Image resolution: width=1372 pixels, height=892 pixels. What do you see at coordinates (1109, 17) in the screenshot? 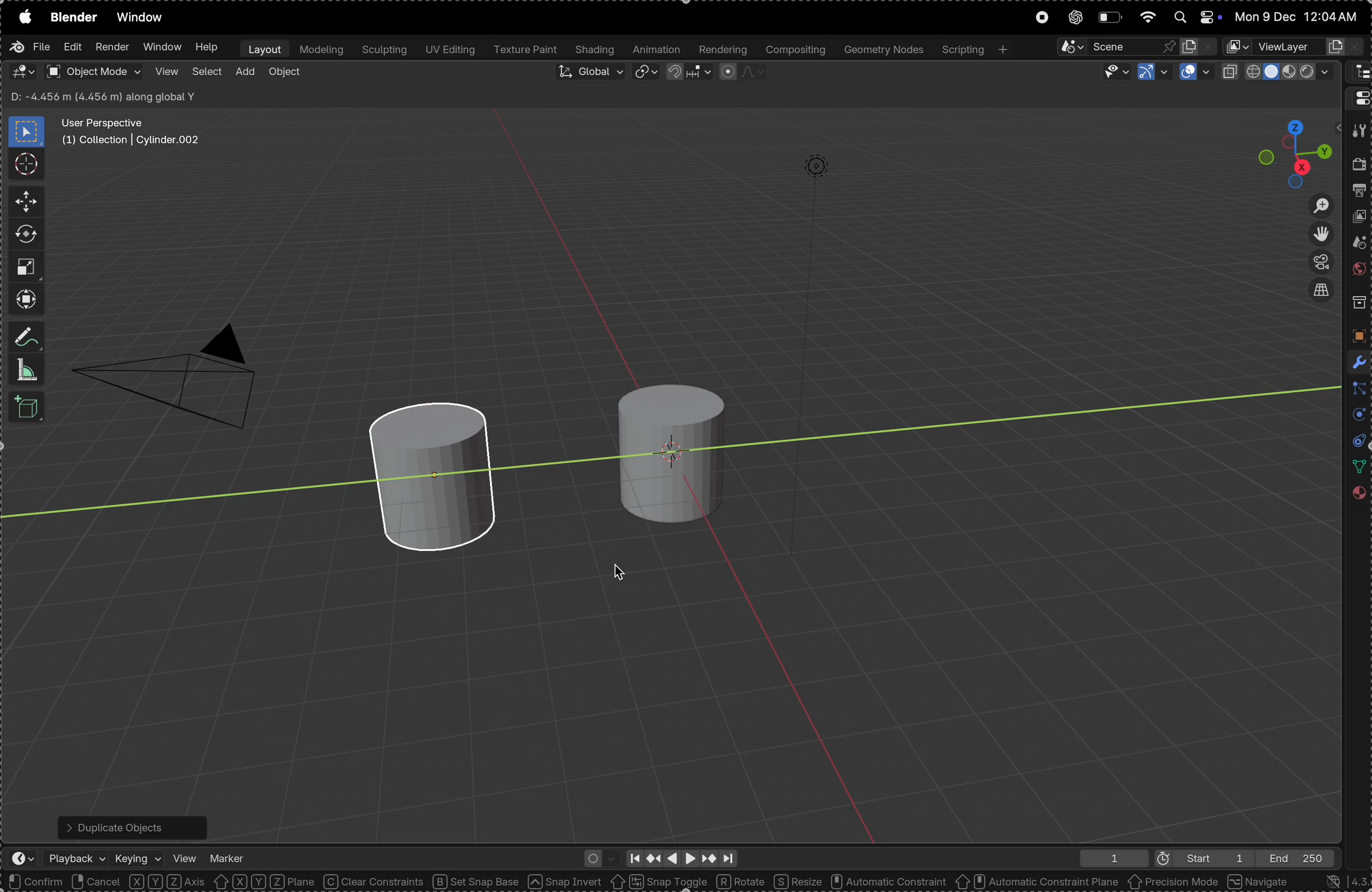
I see `battery` at bounding box center [1109, 17].